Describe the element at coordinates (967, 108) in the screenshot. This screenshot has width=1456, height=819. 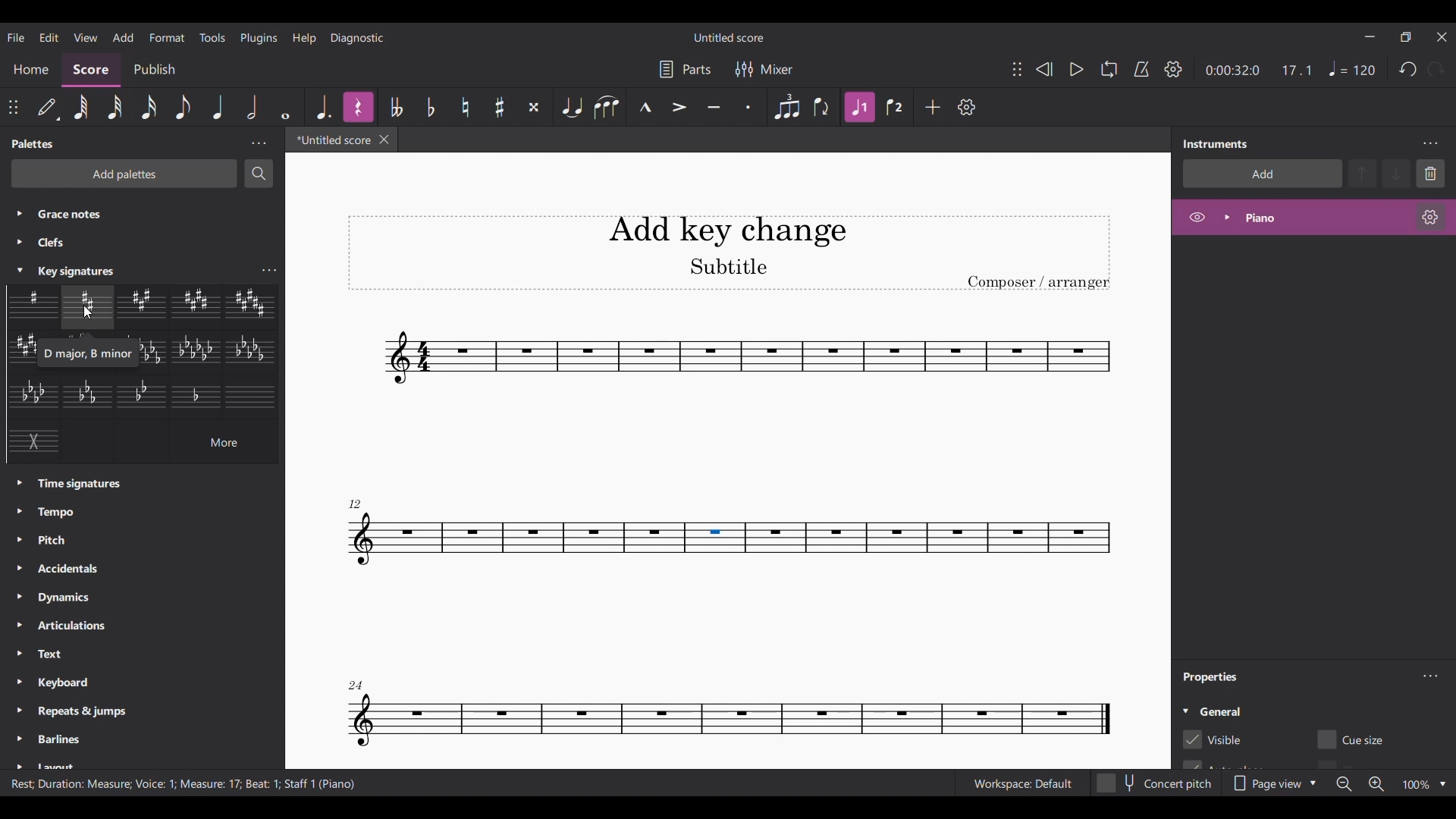
I see `Customize toolbar` at that location.